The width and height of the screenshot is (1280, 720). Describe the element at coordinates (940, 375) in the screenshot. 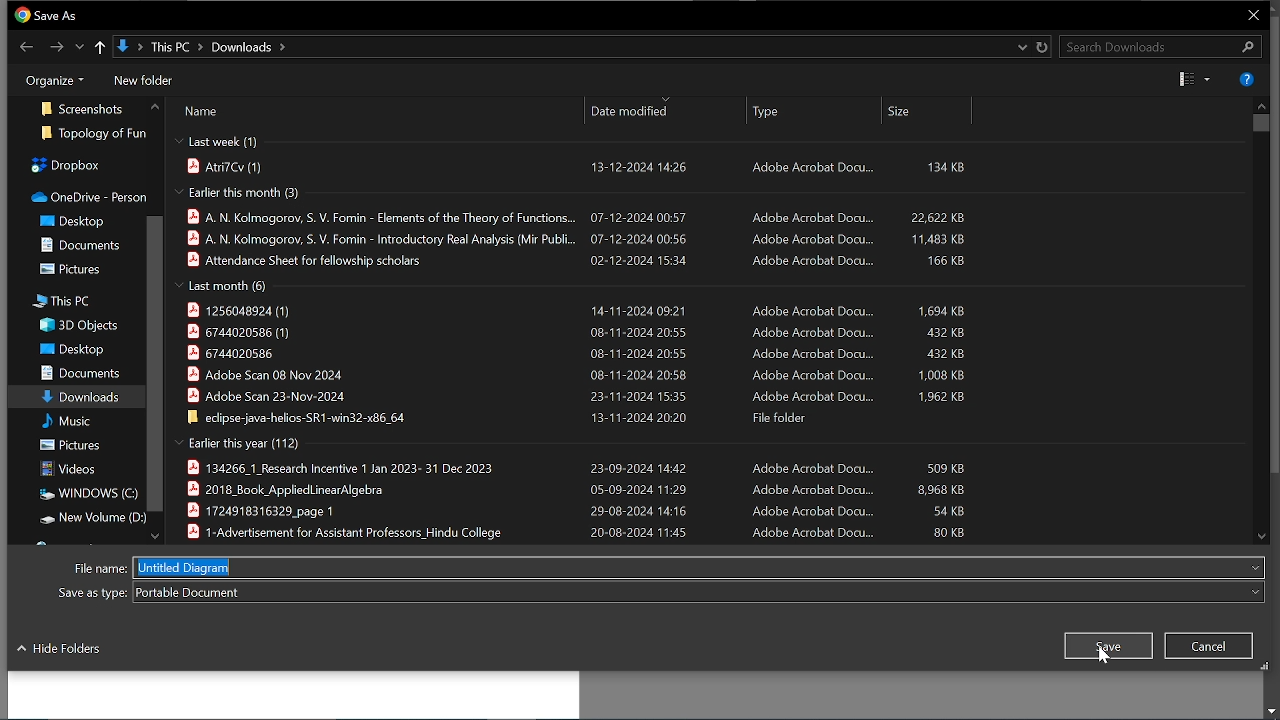

I see `1,008 KB` at that location.